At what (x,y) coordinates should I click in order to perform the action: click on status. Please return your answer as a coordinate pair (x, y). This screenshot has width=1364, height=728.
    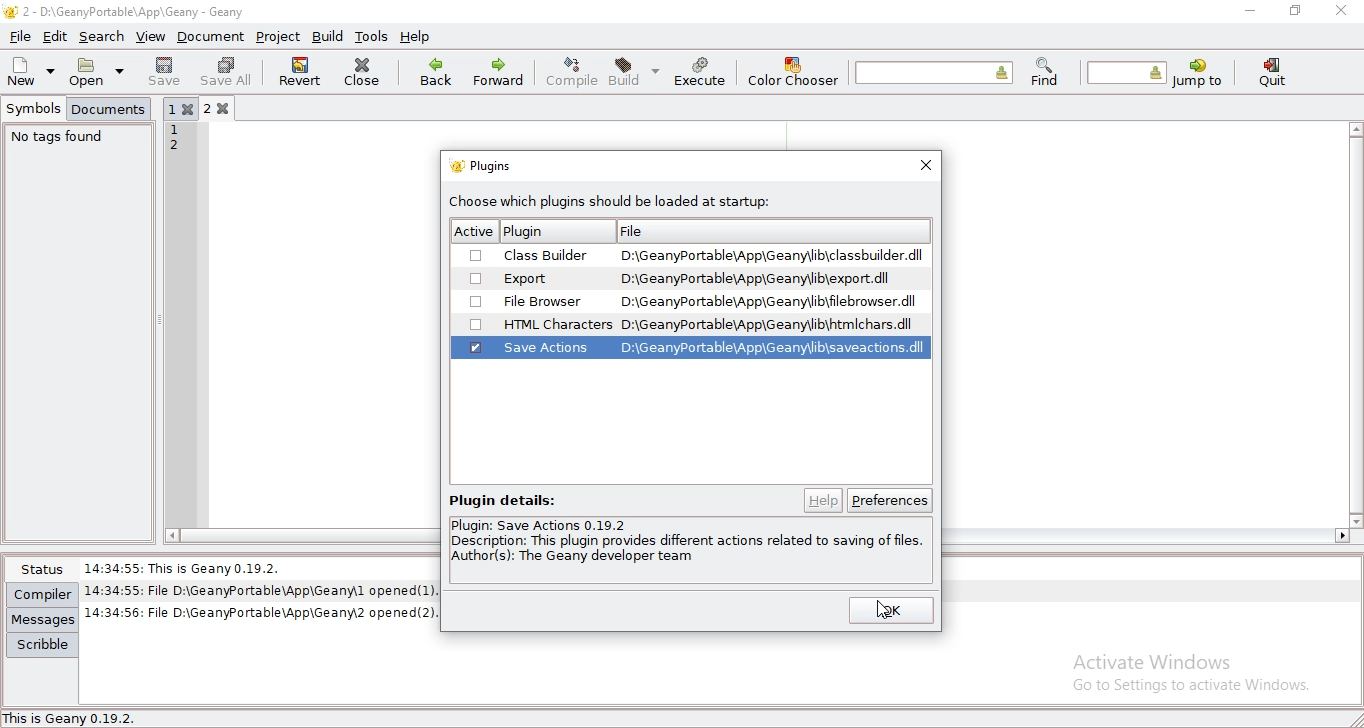
    Looking at the image, I should click on (39, 569).